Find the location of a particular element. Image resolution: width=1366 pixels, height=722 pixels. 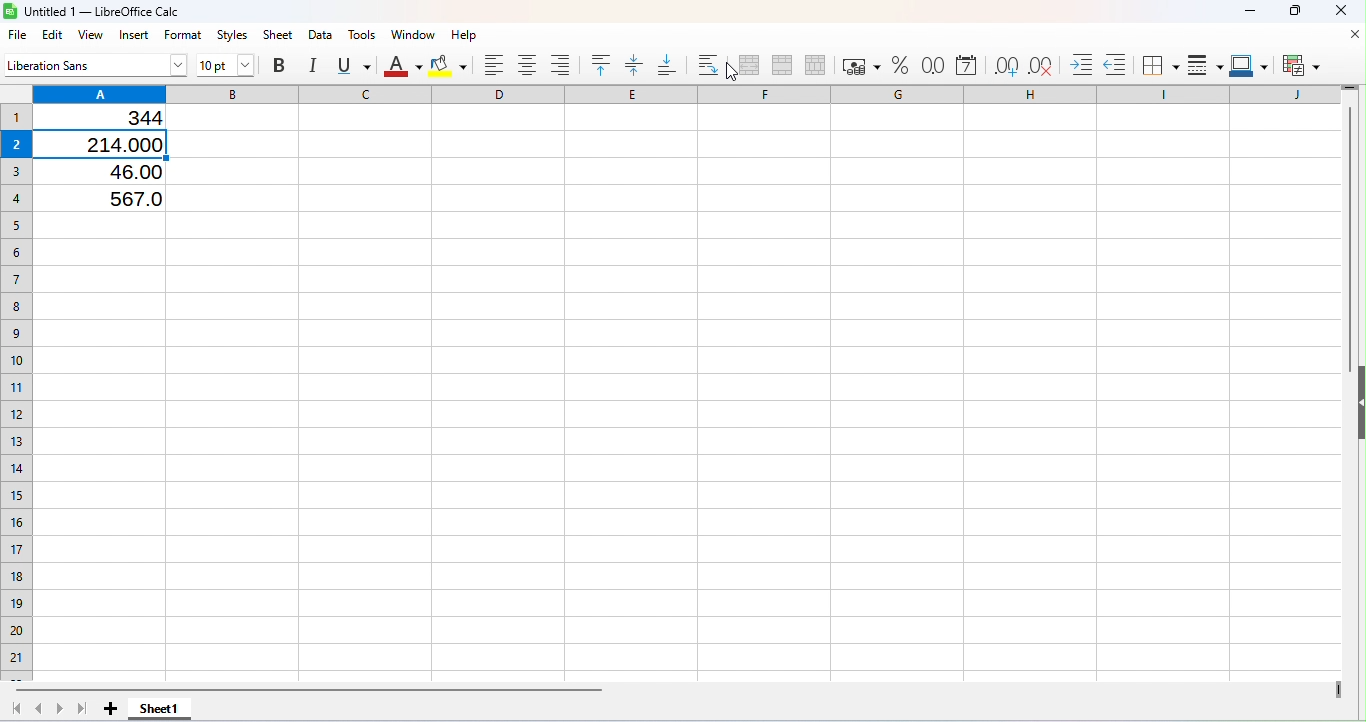

Show is located at coordinates (1358, 408).